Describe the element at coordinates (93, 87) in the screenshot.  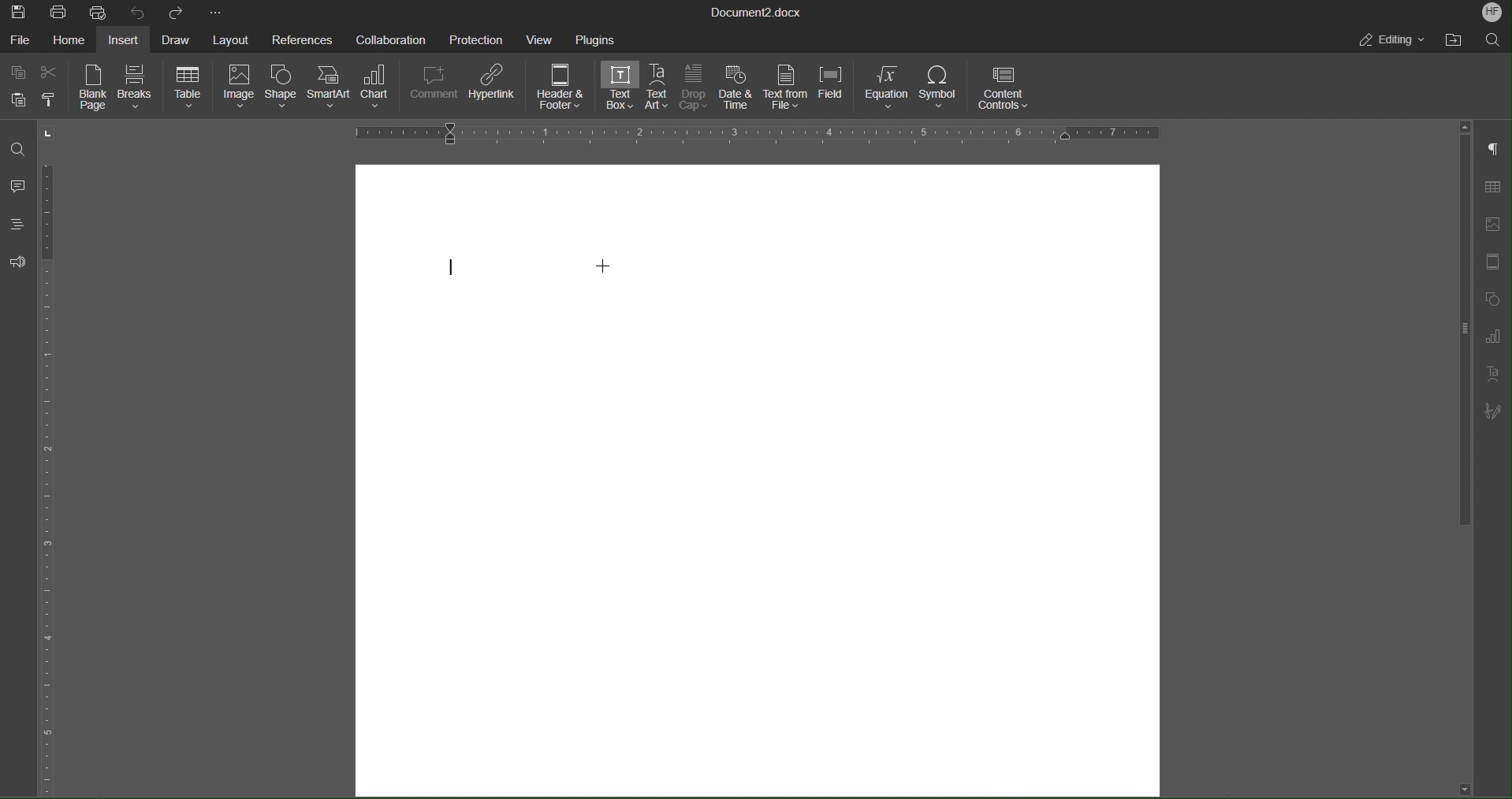
I see `Blank Page` at that location.